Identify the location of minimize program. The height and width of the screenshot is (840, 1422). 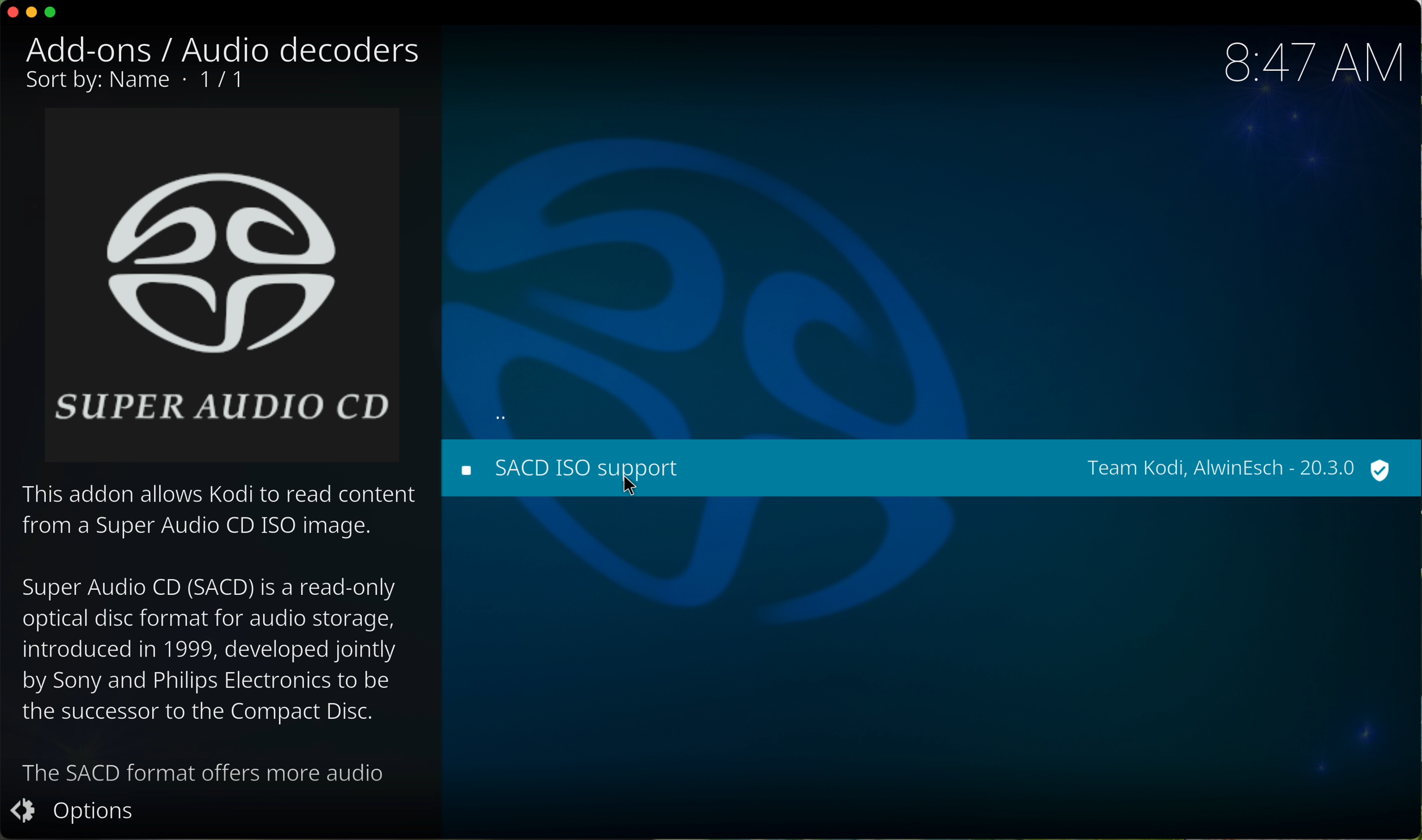
(33, 13).